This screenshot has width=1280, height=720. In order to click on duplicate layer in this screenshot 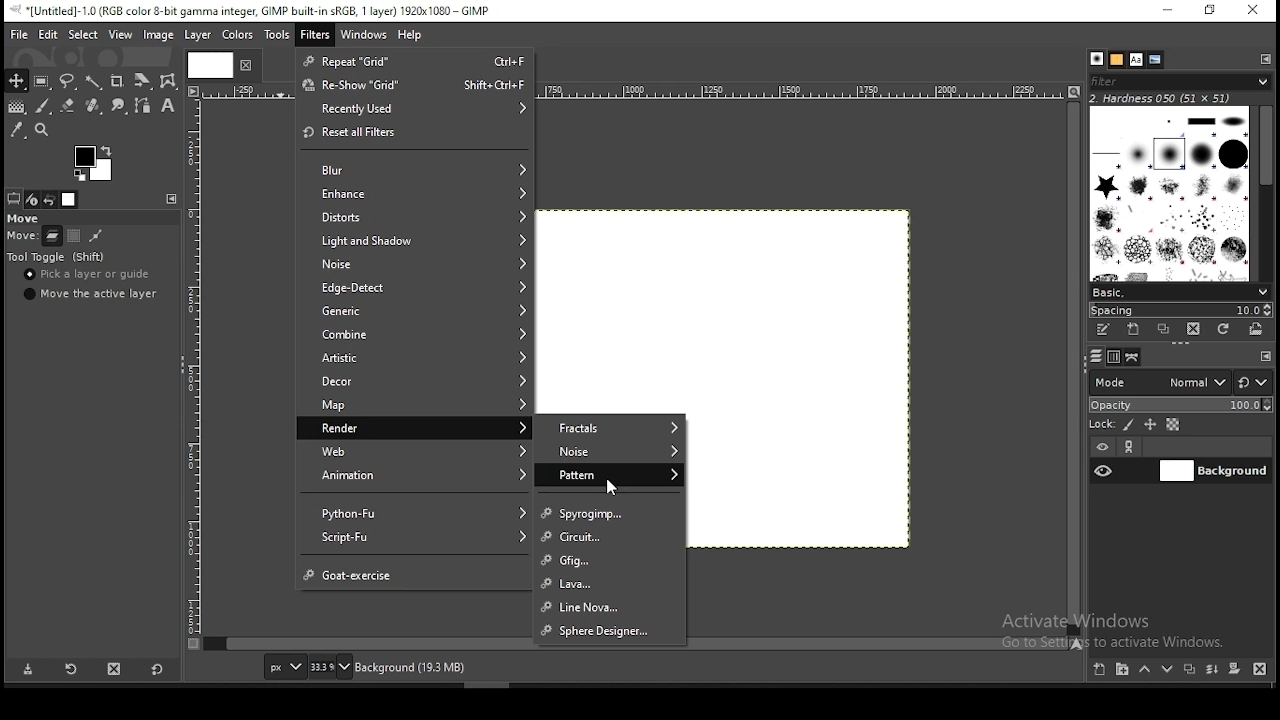, I will do `click(1189, 672)`.